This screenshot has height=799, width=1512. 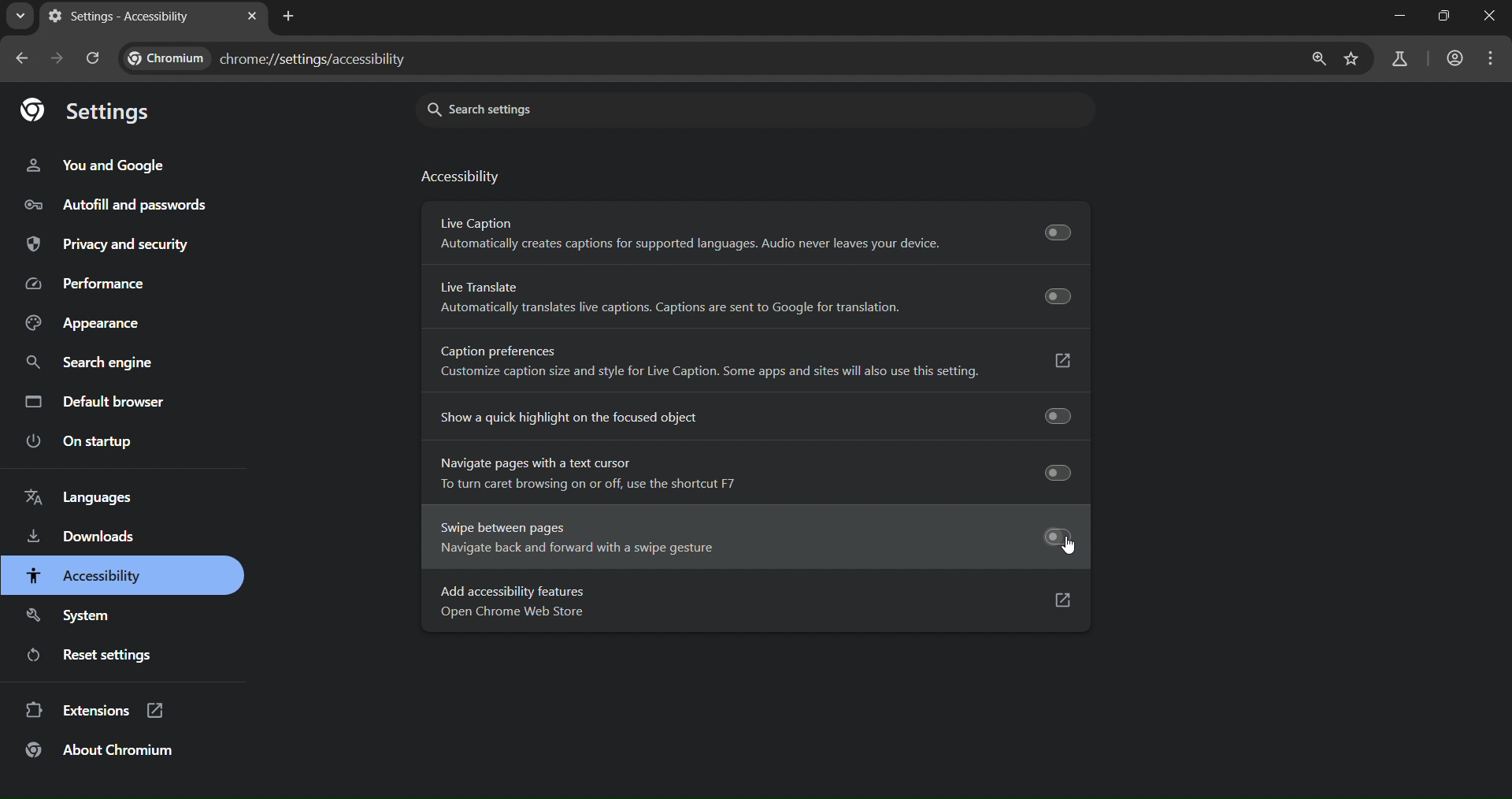 What do you see at coordinates (92, 113) in the screenshot?
I see `settings` at bounding box center [92, 113].